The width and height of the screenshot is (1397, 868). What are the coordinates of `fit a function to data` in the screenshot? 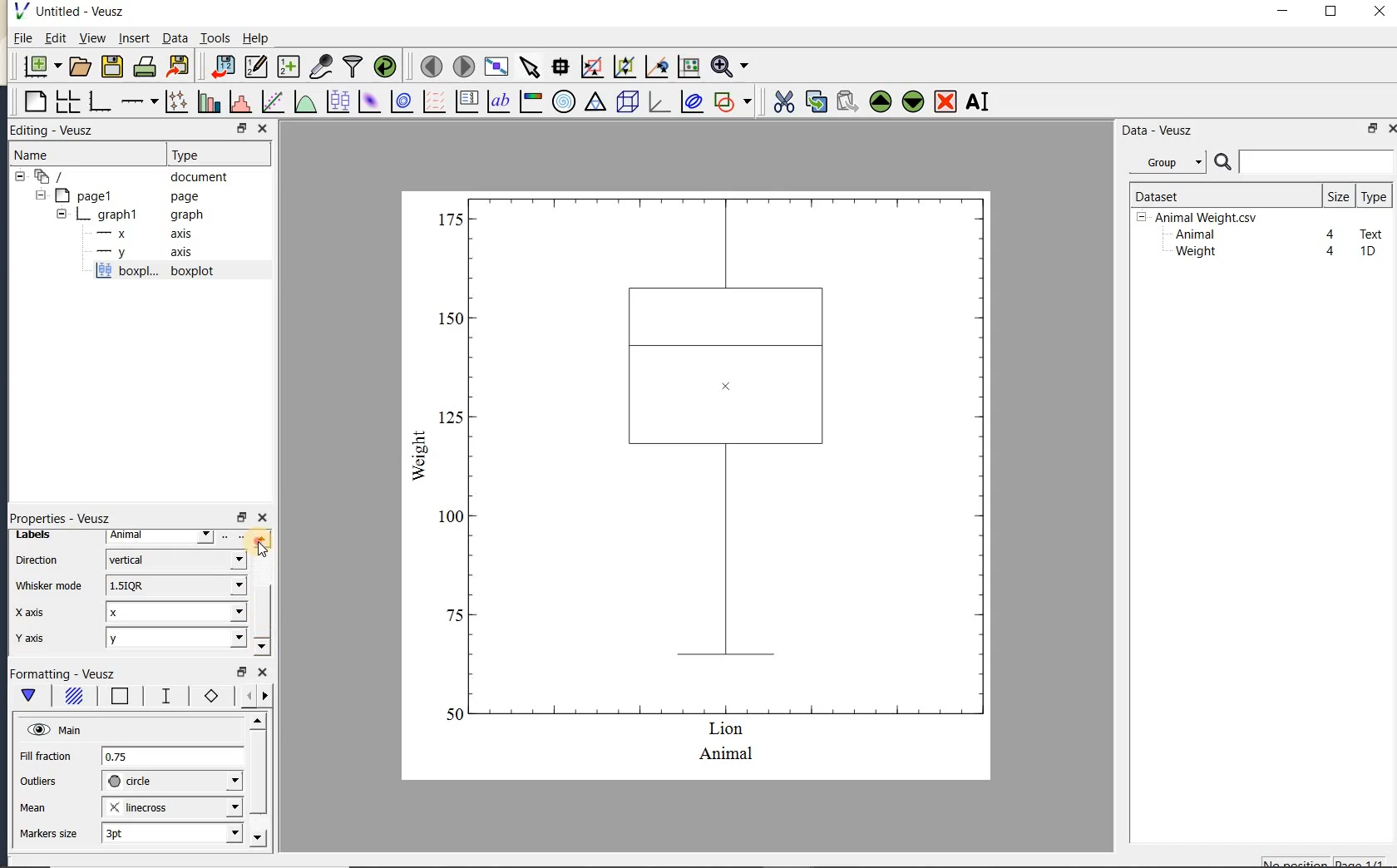 It's located at (272, 101).